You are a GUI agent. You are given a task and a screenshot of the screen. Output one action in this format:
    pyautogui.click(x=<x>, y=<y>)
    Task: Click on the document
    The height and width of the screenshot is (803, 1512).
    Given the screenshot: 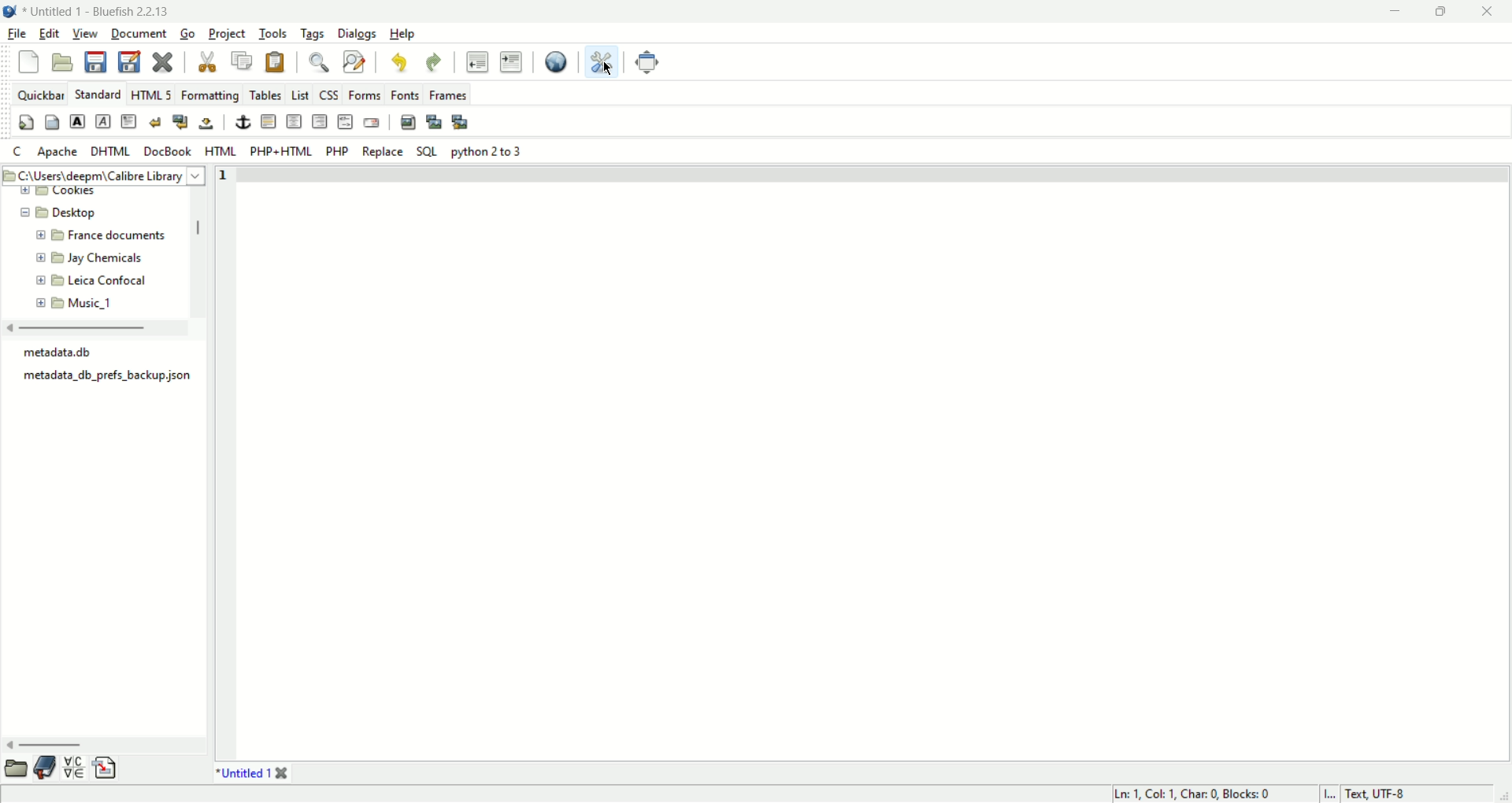 What is the action you would take?
    pyautogui.click(x=139, y=33)
    